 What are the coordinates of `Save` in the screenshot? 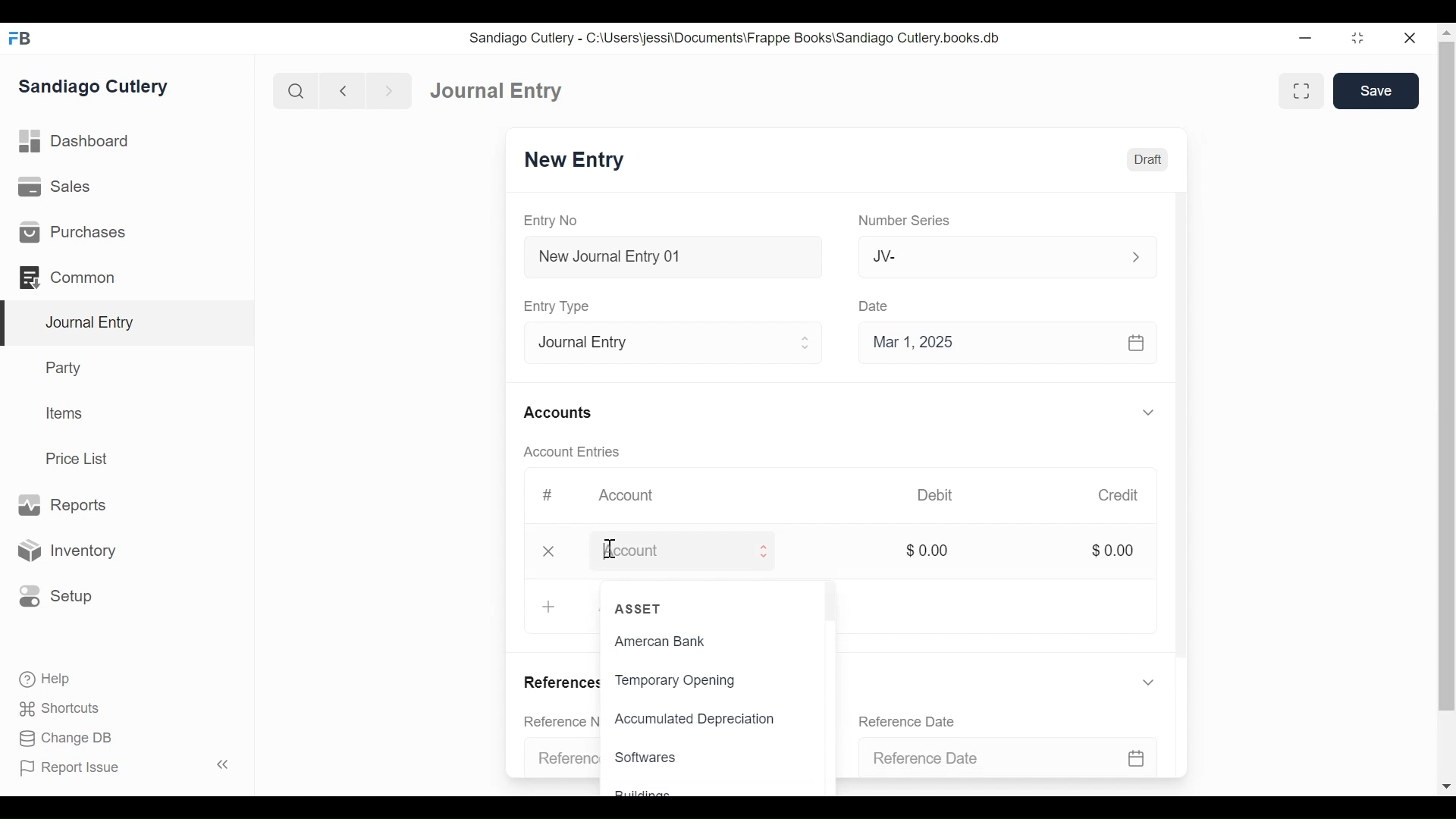 It's located at (1379, 91).